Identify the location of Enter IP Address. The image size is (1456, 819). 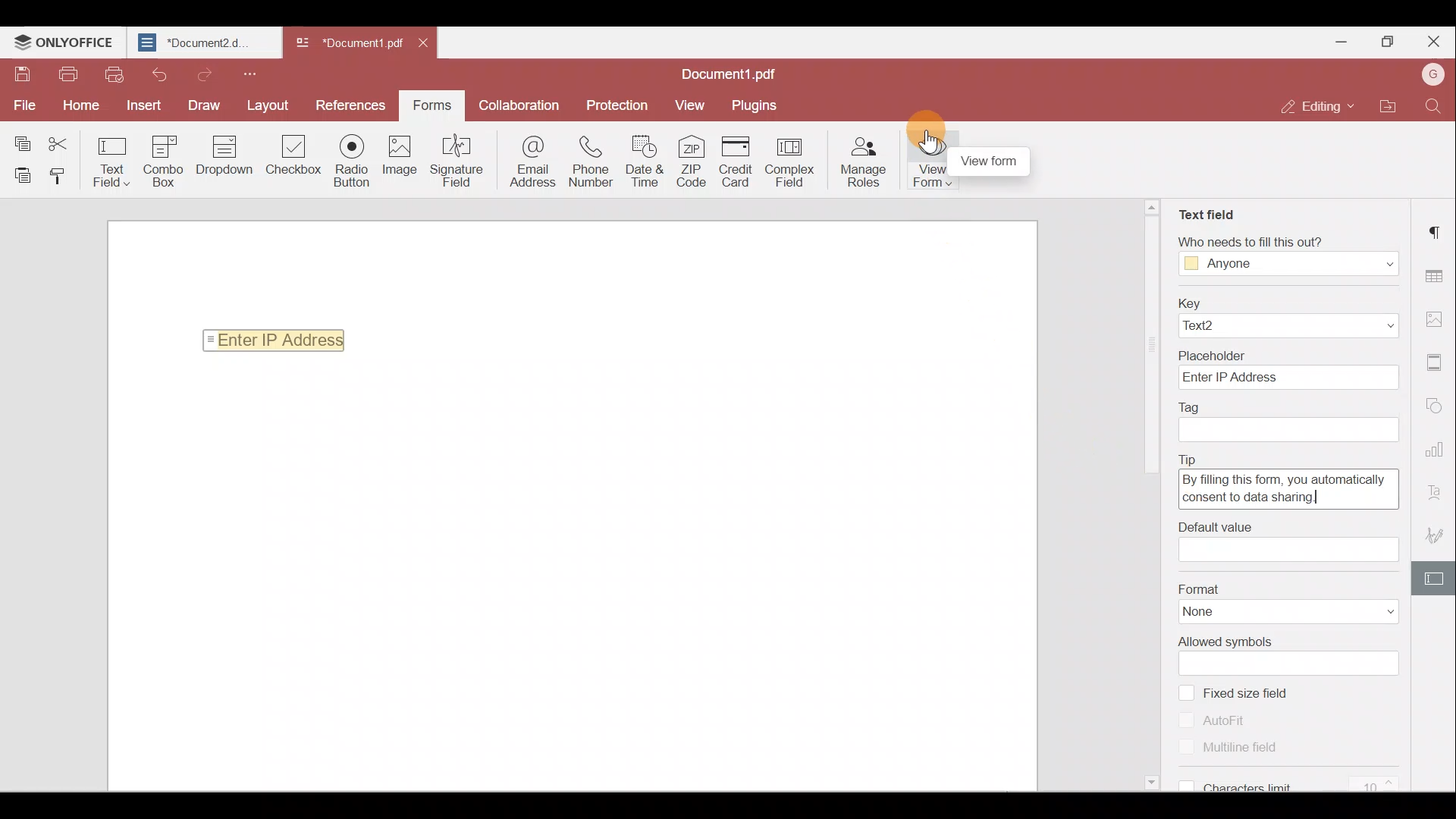
(1288, 378).